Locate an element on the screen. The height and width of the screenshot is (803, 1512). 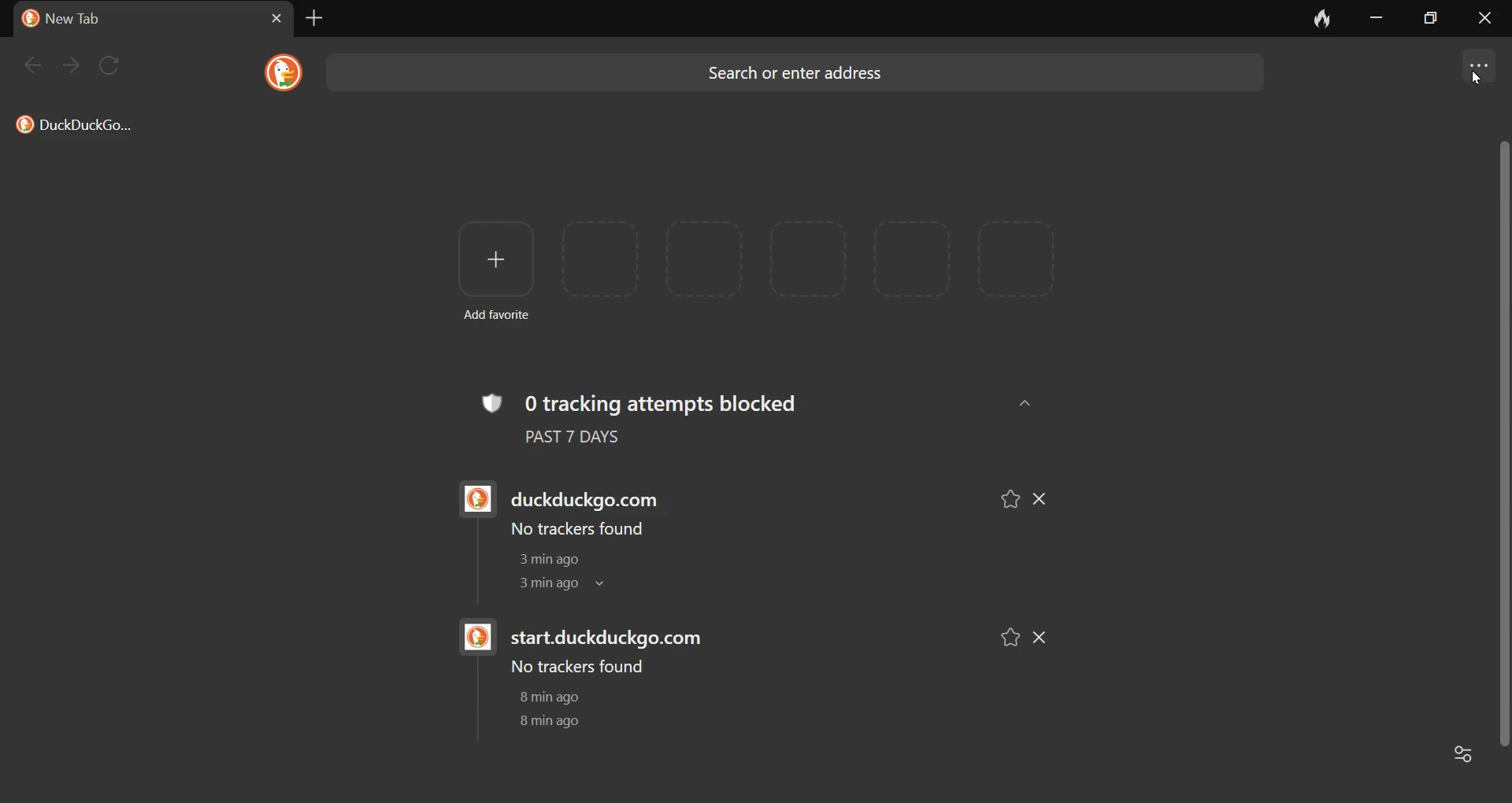
duckduckgo.com is located at coordinates (594, 494).